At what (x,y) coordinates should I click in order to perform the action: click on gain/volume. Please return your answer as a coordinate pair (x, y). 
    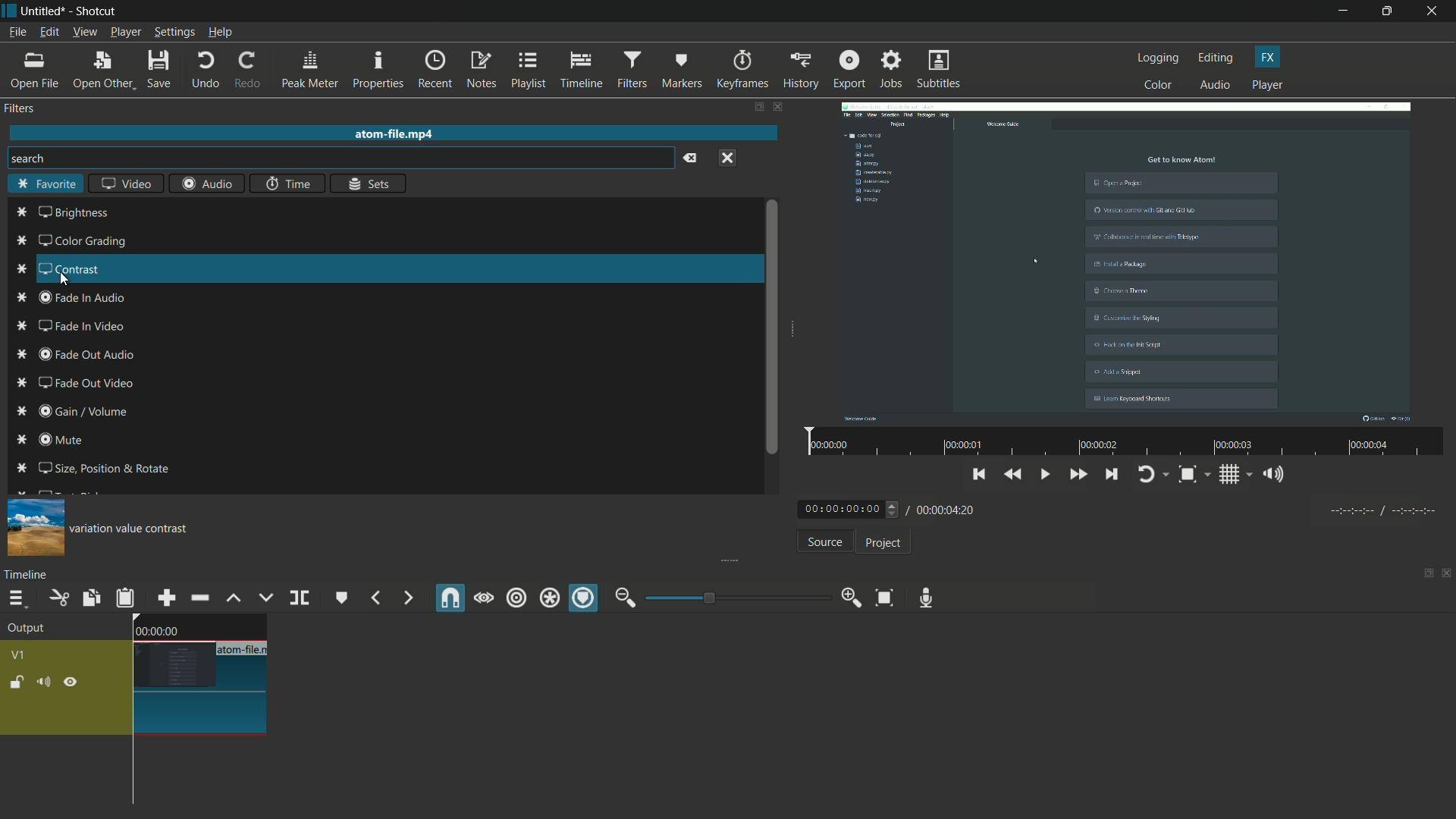
    Looking at the image, I should click on (80, 413).